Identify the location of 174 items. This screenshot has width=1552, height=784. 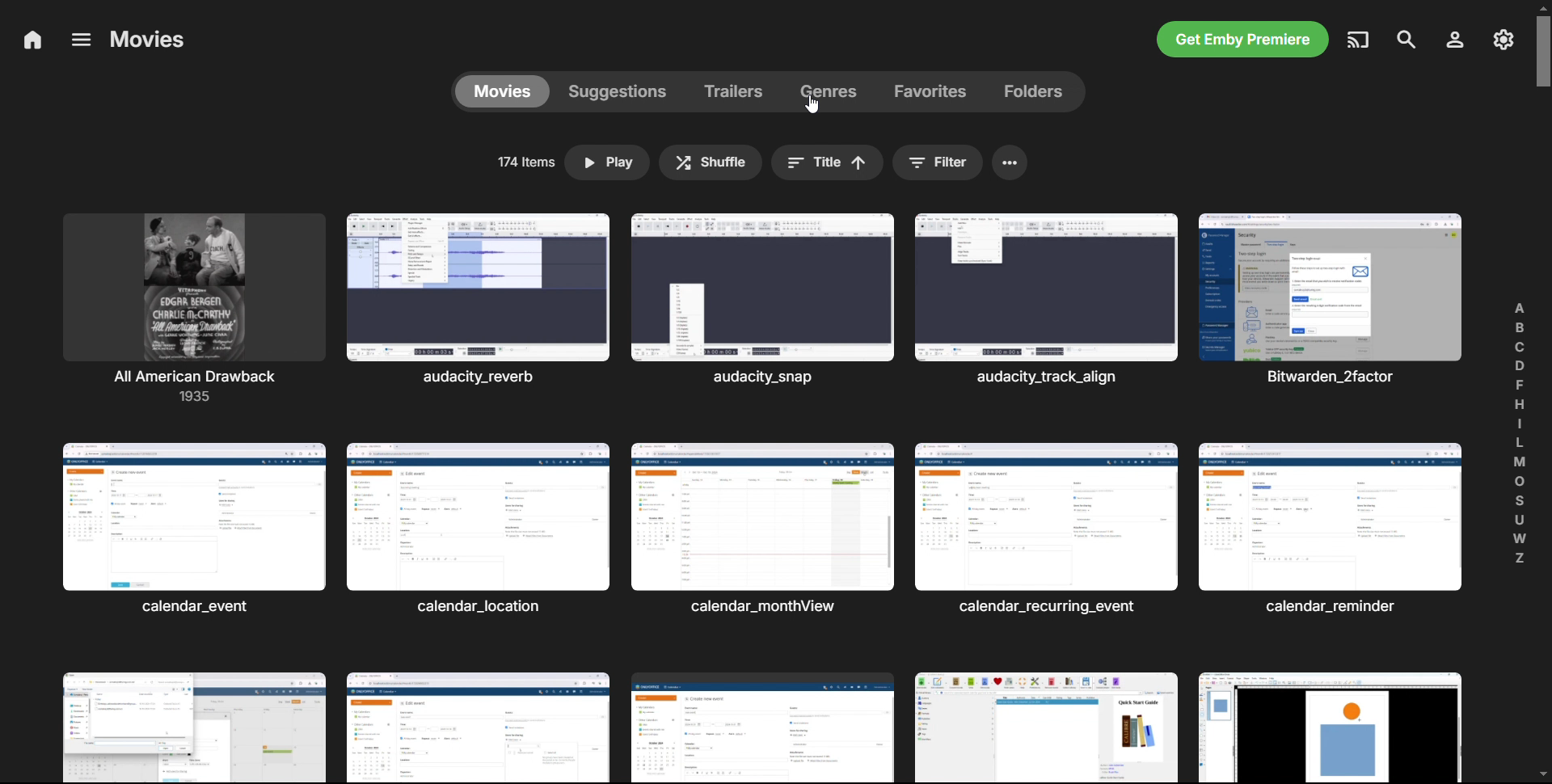
(524, 162).